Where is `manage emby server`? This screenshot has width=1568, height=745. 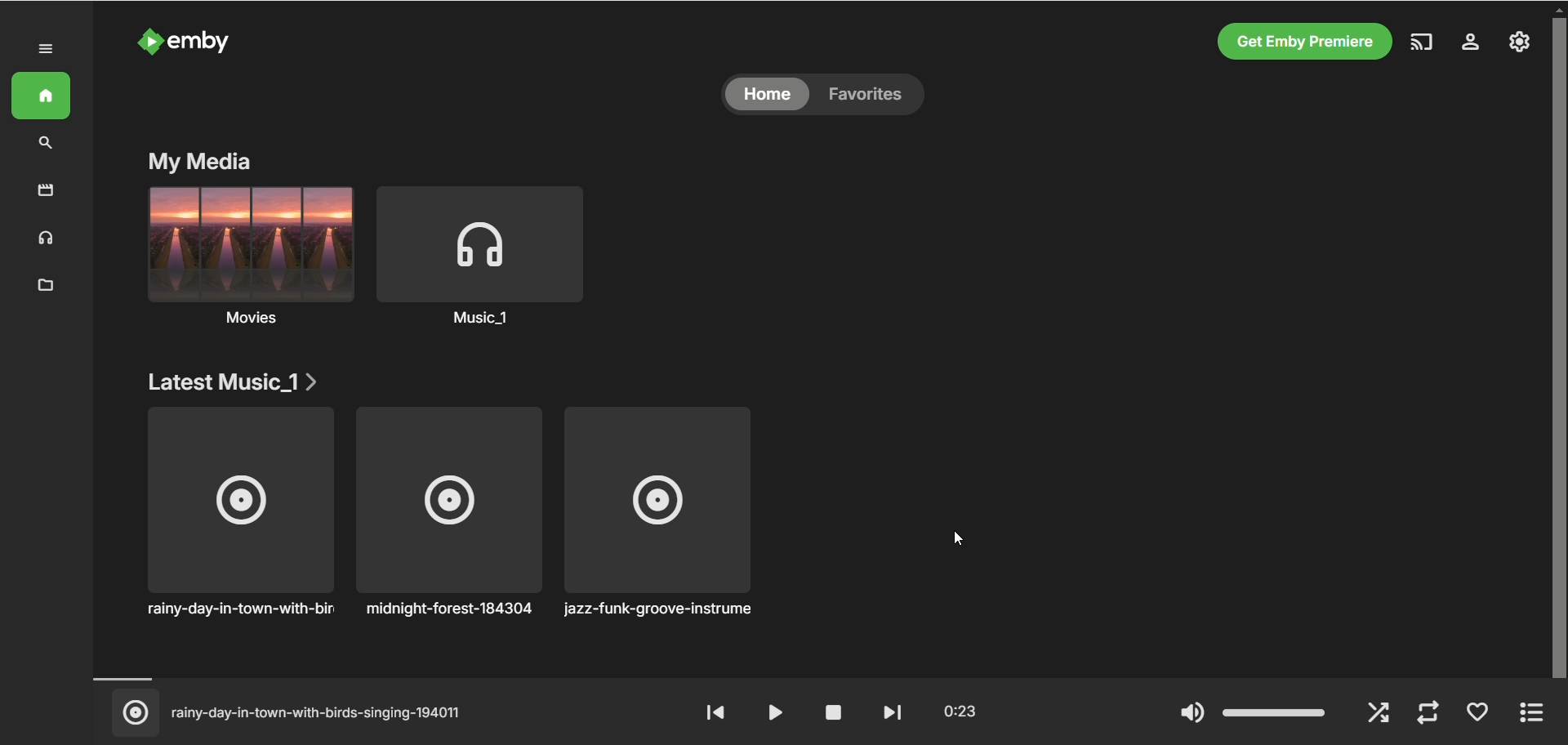 manage emby server is located at coordinates (1517, 43).